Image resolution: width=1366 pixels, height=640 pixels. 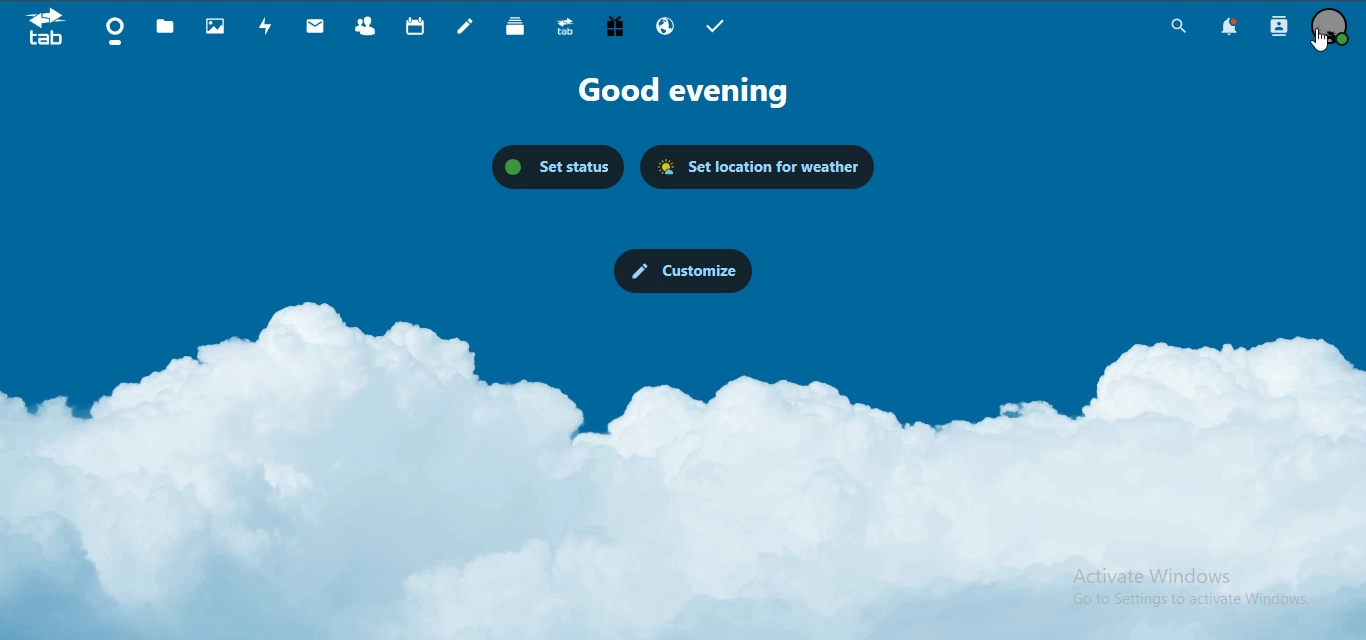 I want to click on deck, so click(x=520, y=28).